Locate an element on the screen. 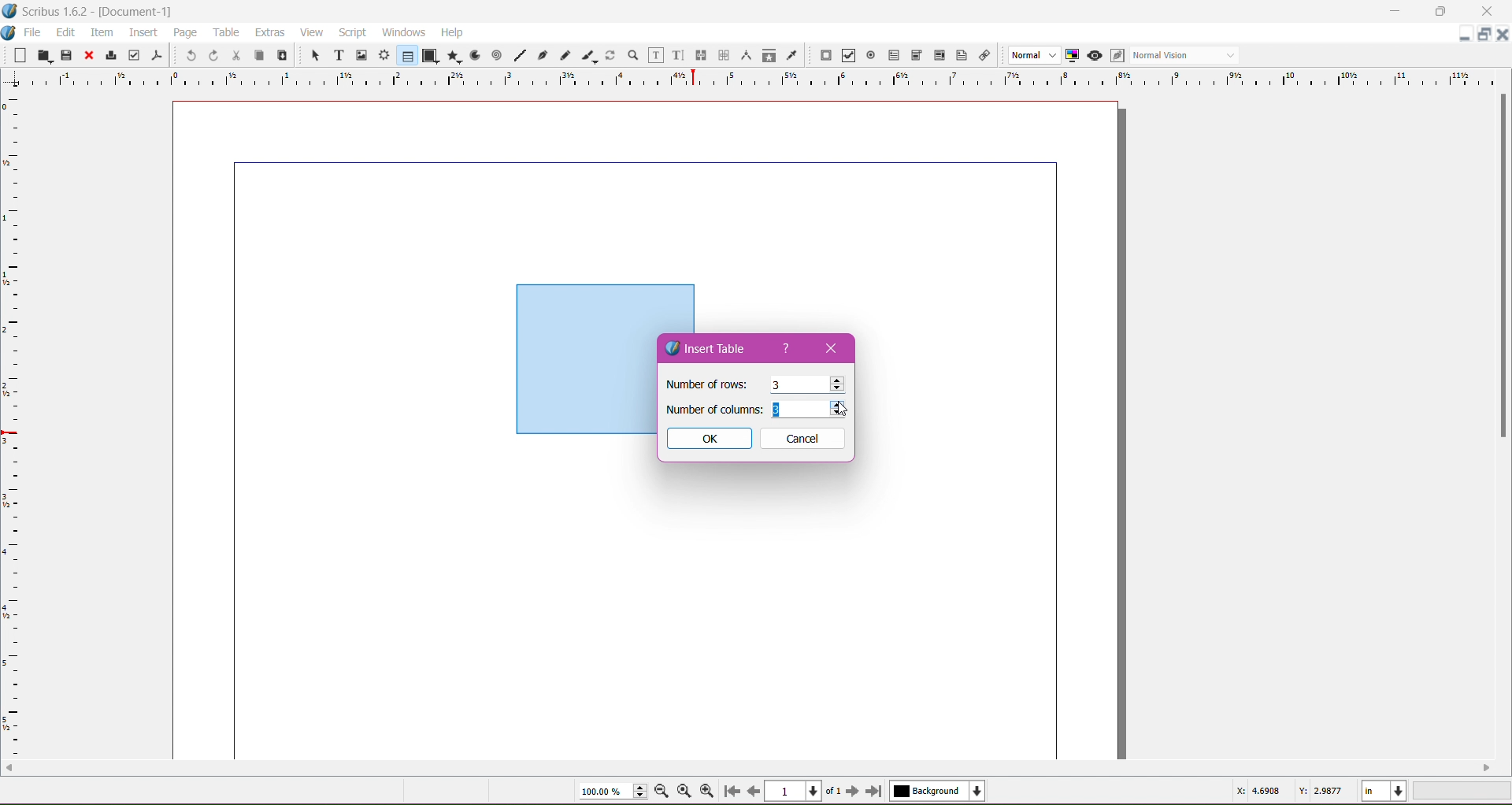 The image size is (1512, 805). PDF Text Fields is located at coordinates (891, 56).